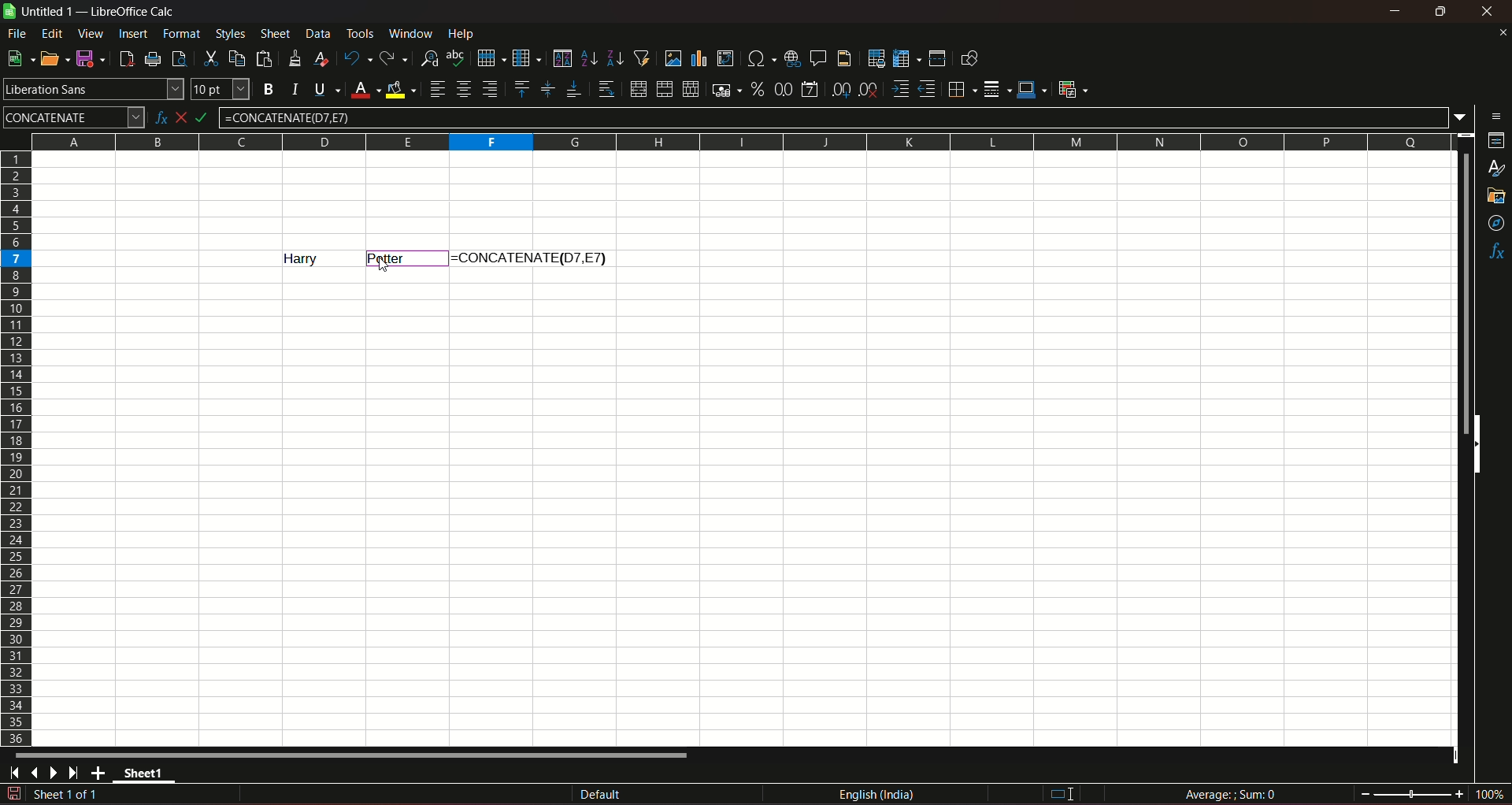 The image size is (1512, 805). Describe the element at coordinates (36, 774) in the screenshot. I see `scroll to previous` at that location.